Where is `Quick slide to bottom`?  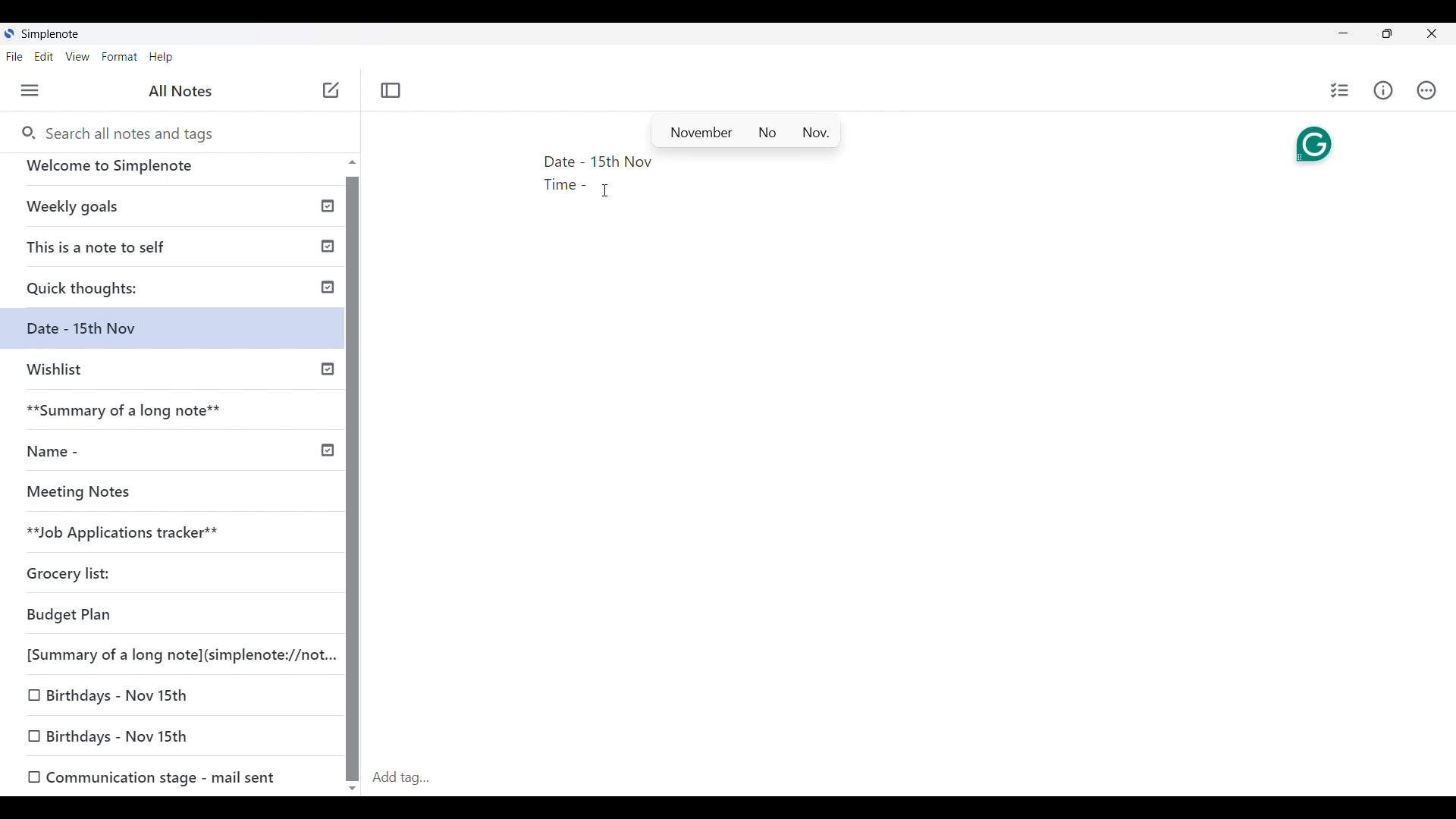
Quick slide to bottom is located at coordinates (353, 789).